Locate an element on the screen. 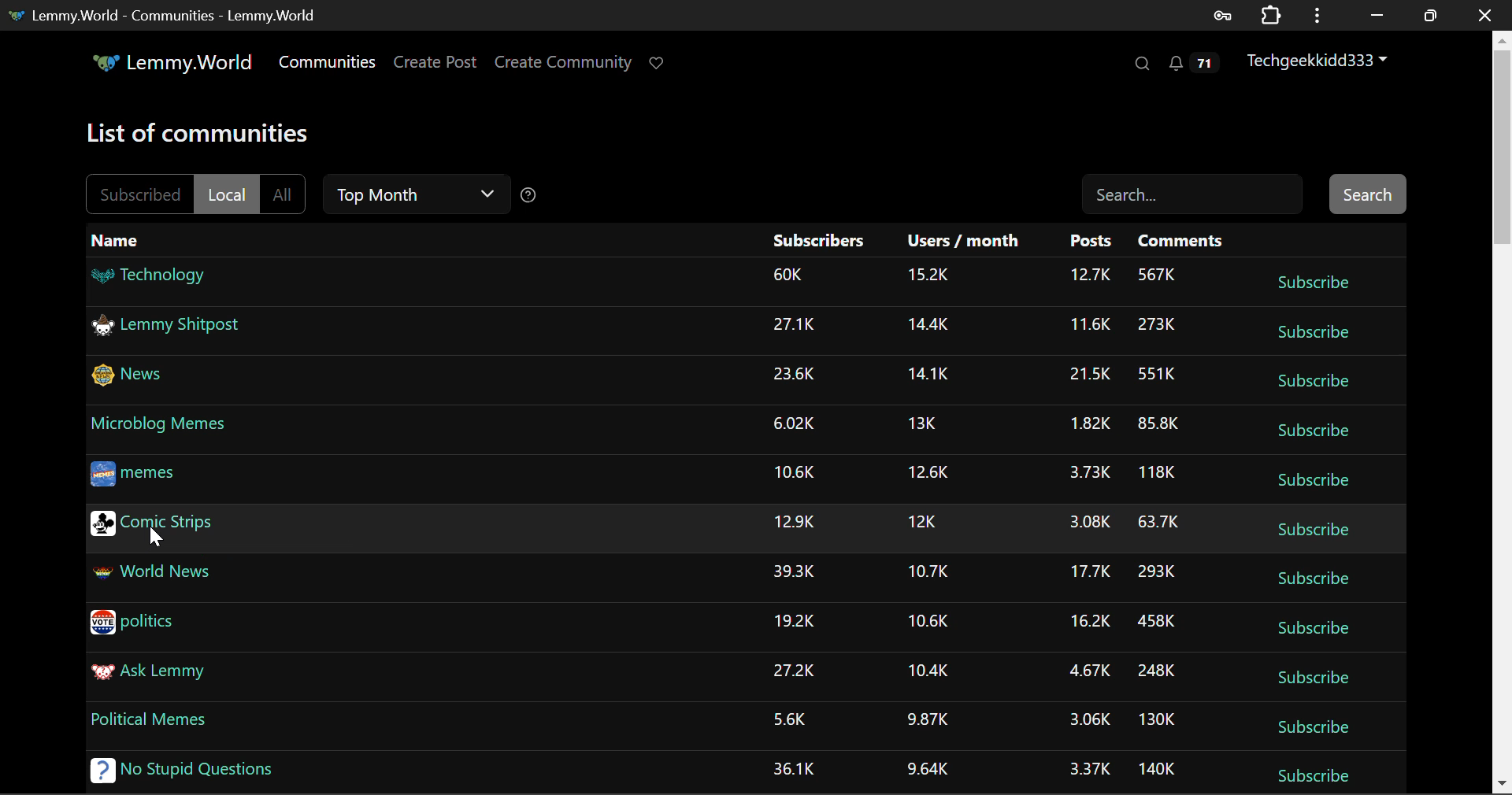 This screenshot has height=795, width=1512. News is located at coordinates (134, 375).